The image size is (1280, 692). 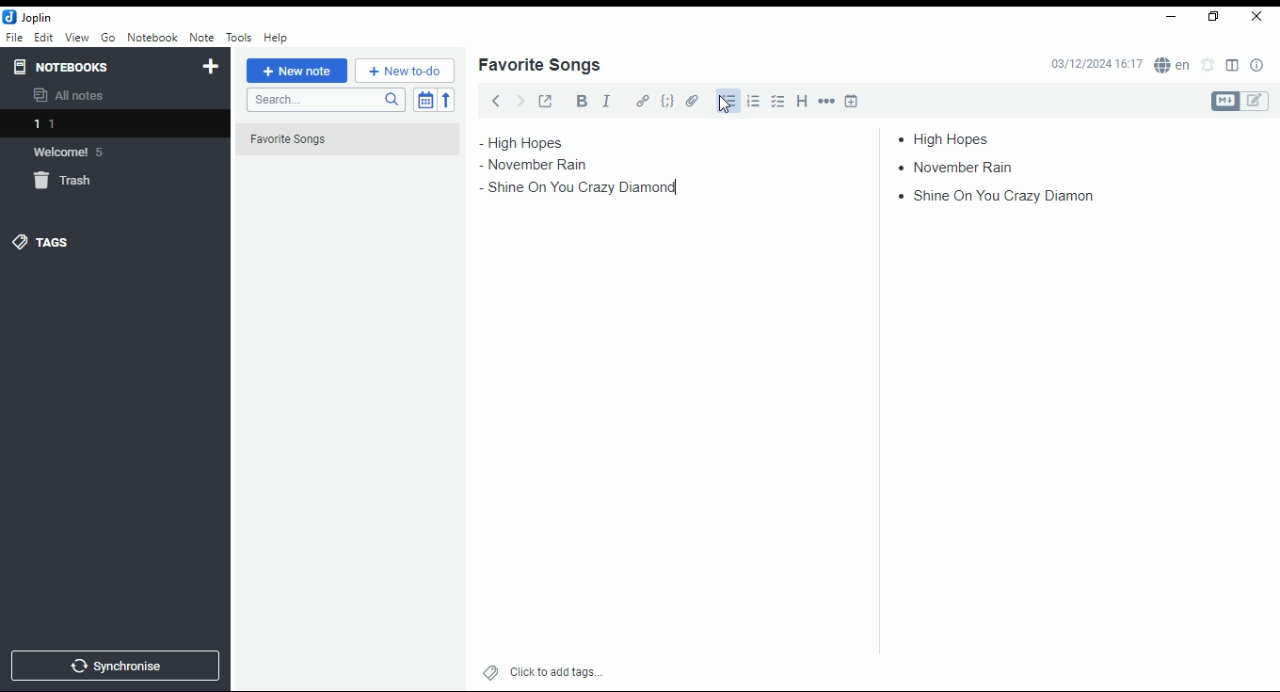 I want to click on attach file, so click(x=693, y=100).